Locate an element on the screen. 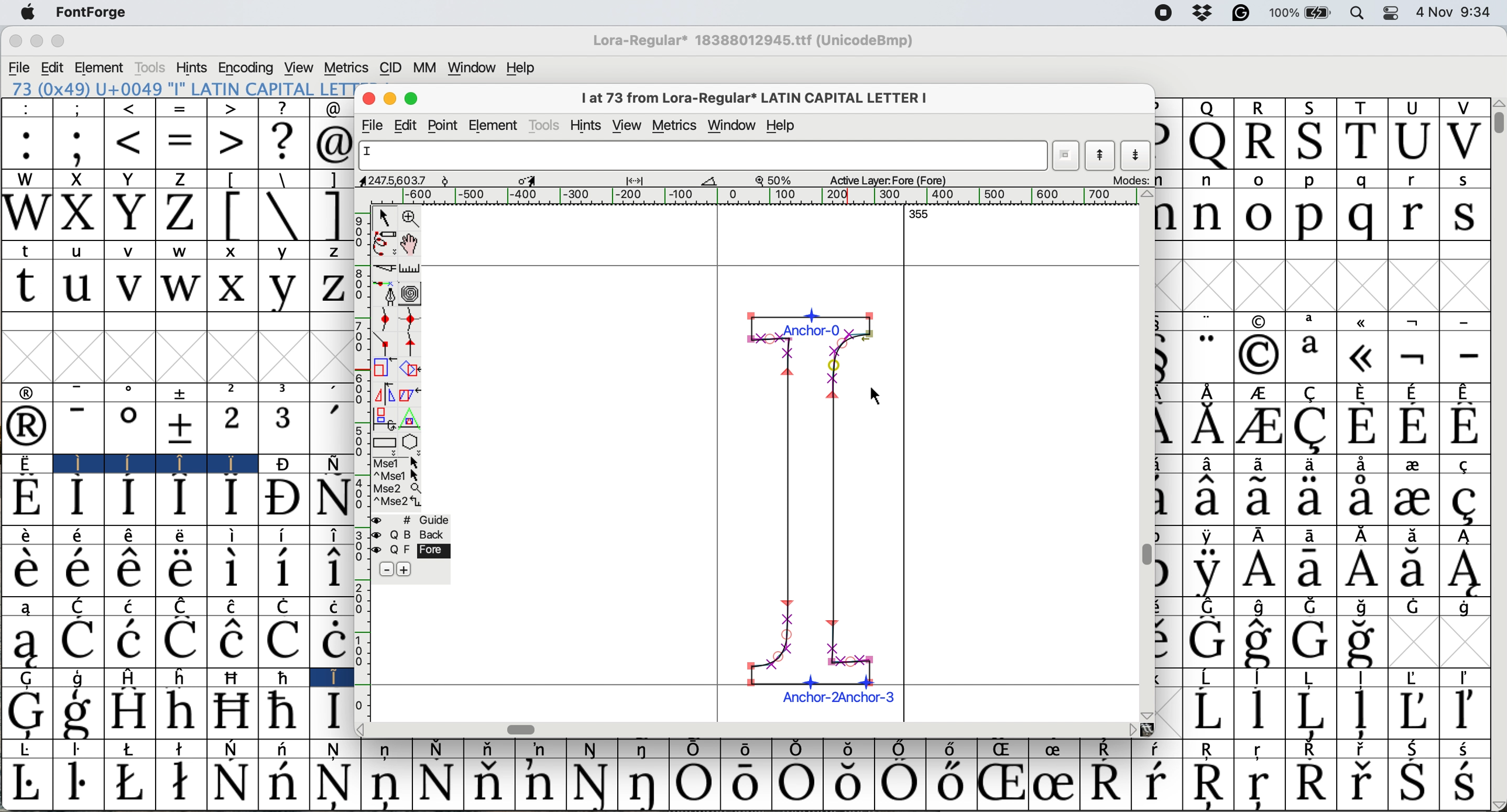 The height and width of the screenshot is (812, 1507). - is located at coordinates (78, 428).